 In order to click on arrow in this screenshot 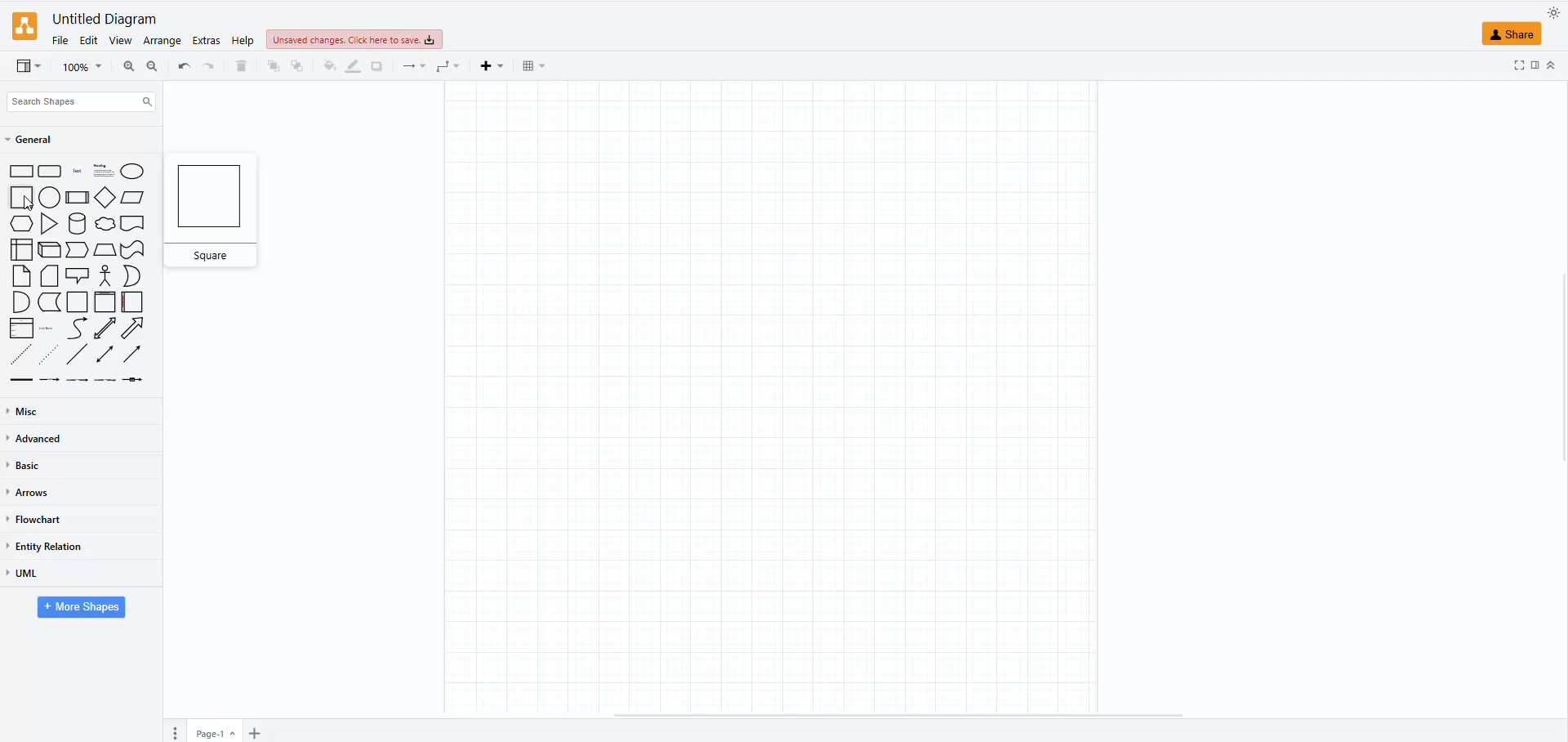, I will do `click(136, 329)`.